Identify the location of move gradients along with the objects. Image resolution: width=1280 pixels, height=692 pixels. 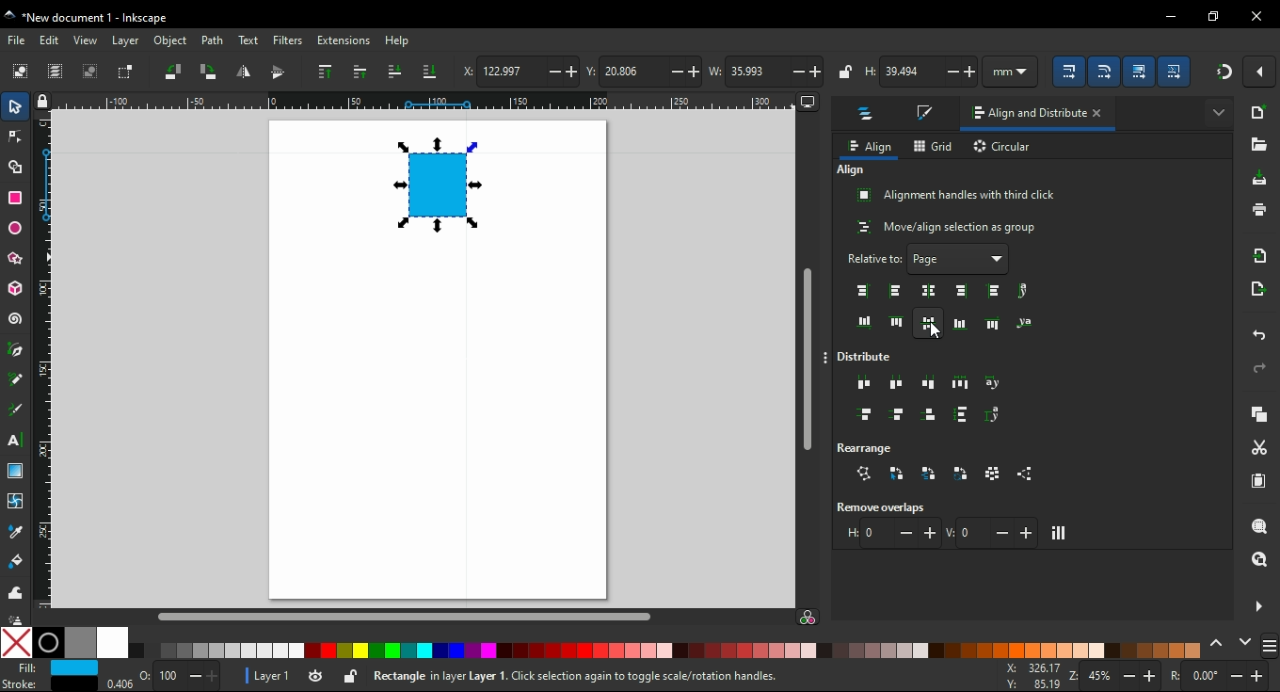
(1140, 71).